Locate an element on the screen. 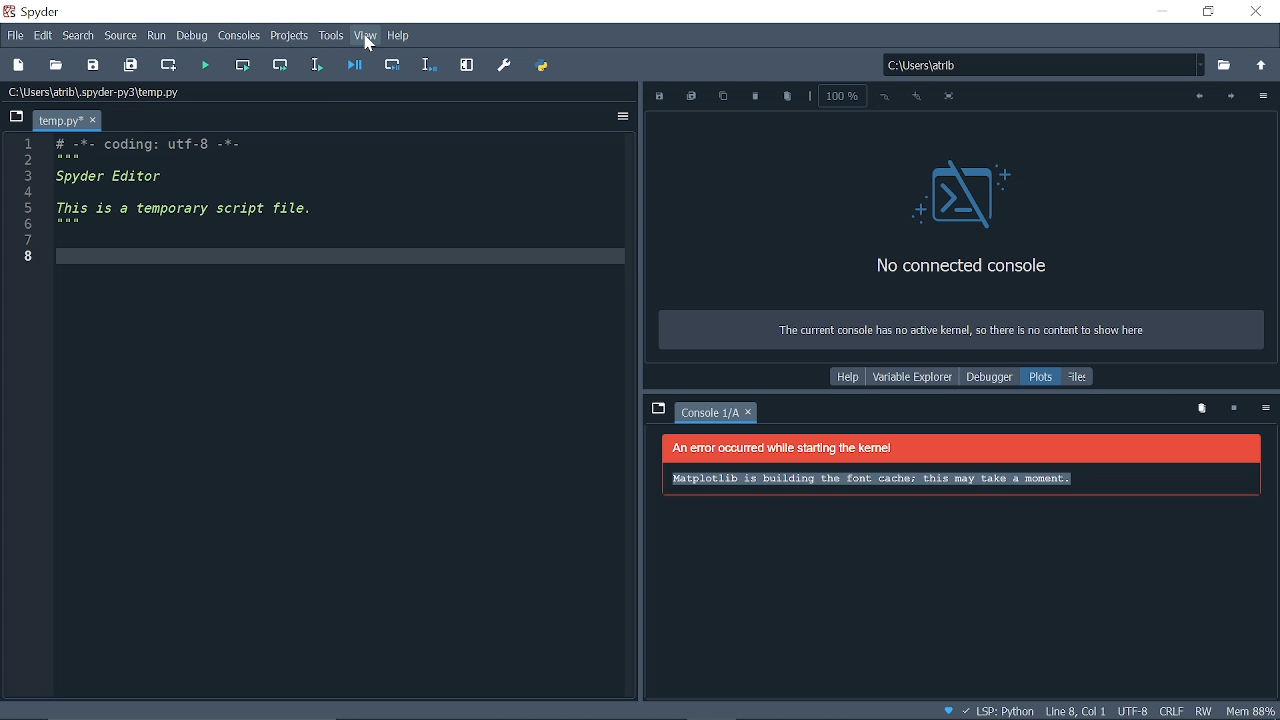 The image size is (1280, 720). Change to parent directory is located at coordinates (1262, 67).